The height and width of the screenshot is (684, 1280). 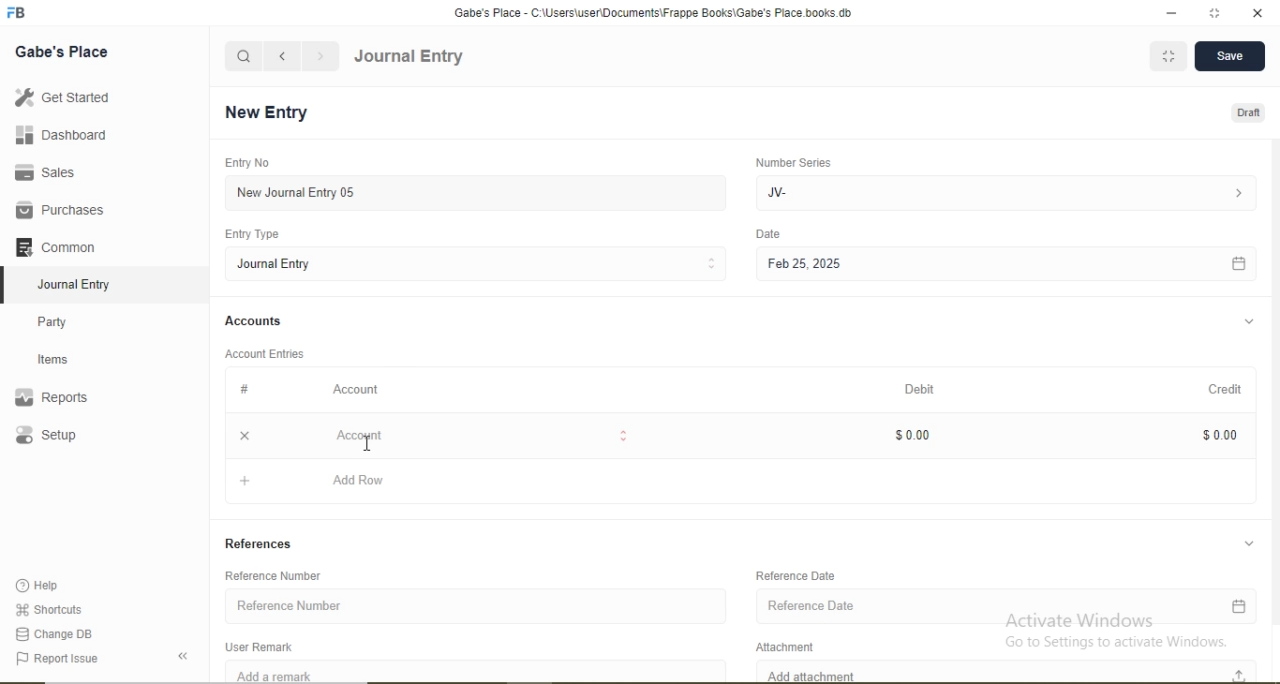 I want to click on Party, so click(x=66, y=320).